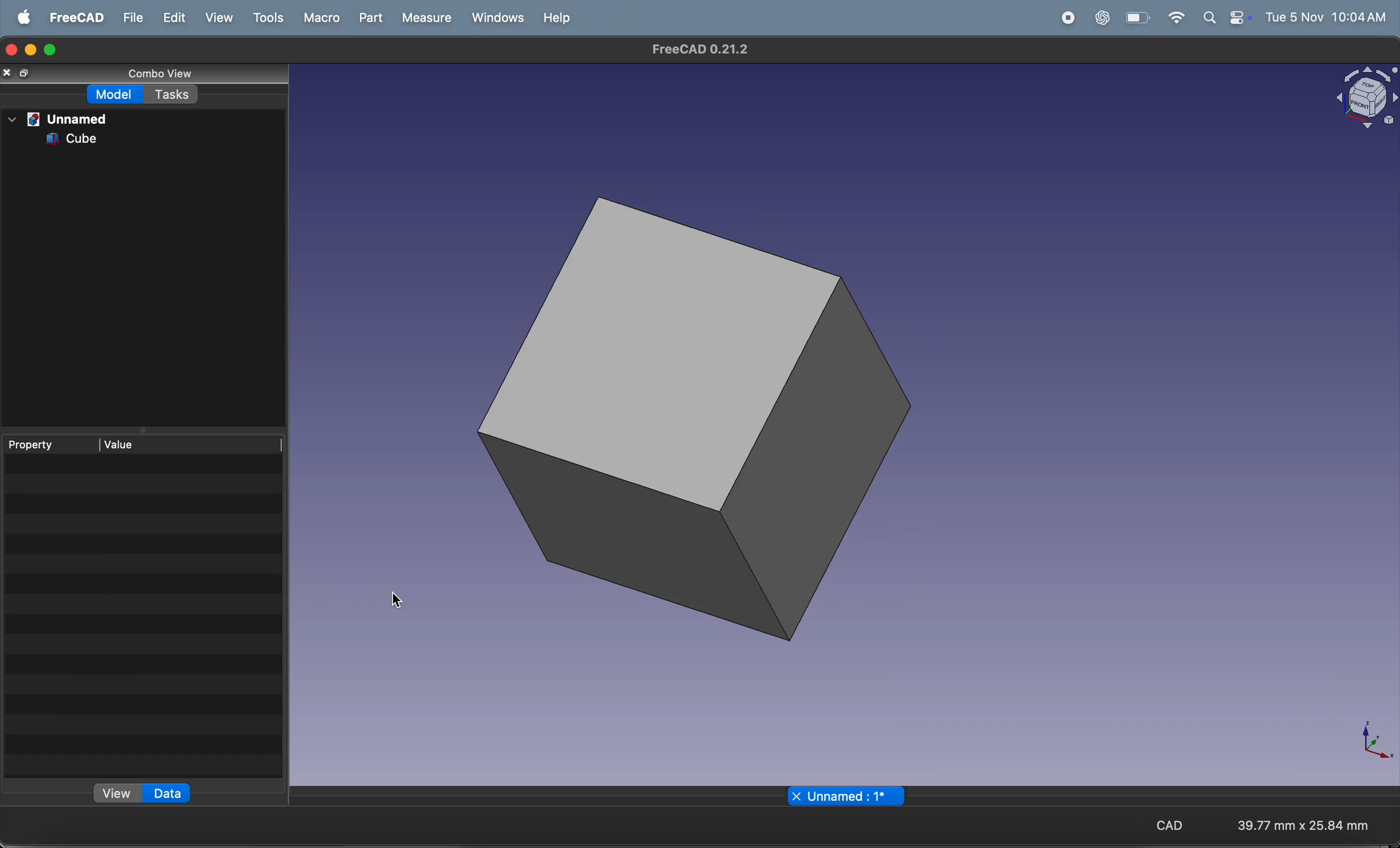 Image resolution: width=1400 pixels, height=848 pixels. What do you see at coordinates (33, 49) in the screenshot?
I see `minimize` at bounding box center [33, 49].